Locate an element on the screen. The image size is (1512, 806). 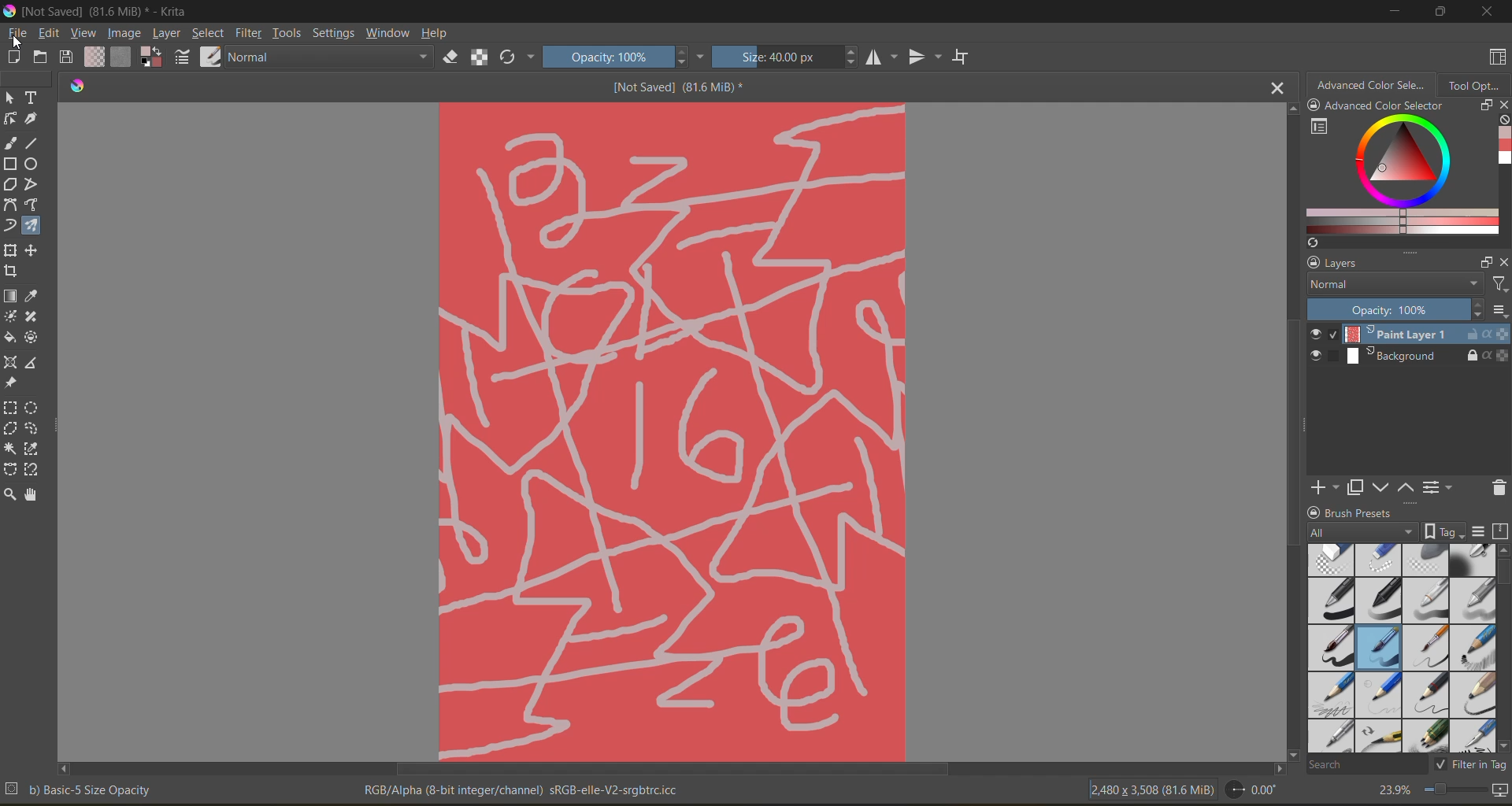
flip angle is located at coordinates (1251, 789).